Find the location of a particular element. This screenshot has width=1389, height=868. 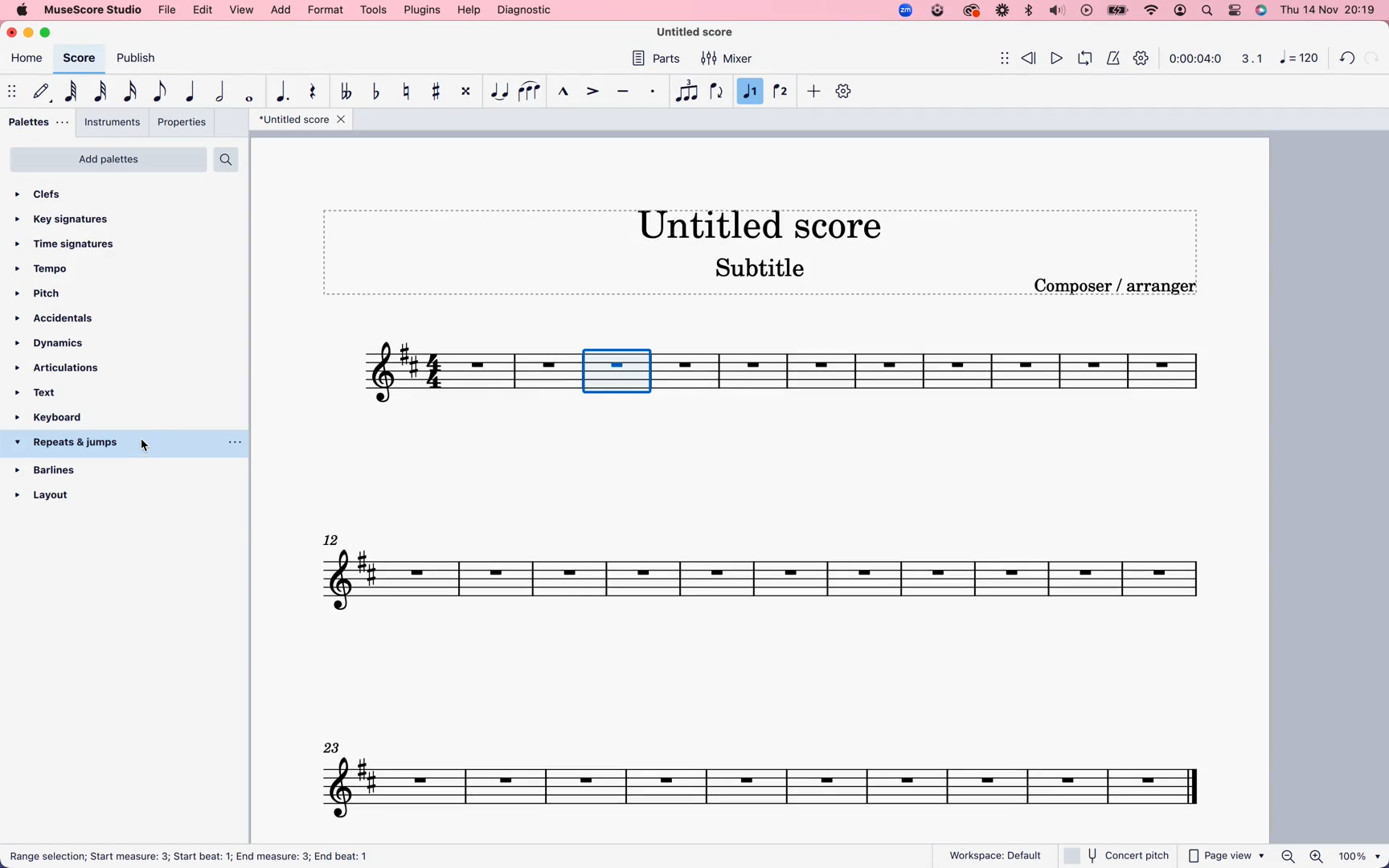

close is located at coordinates (14, 31).